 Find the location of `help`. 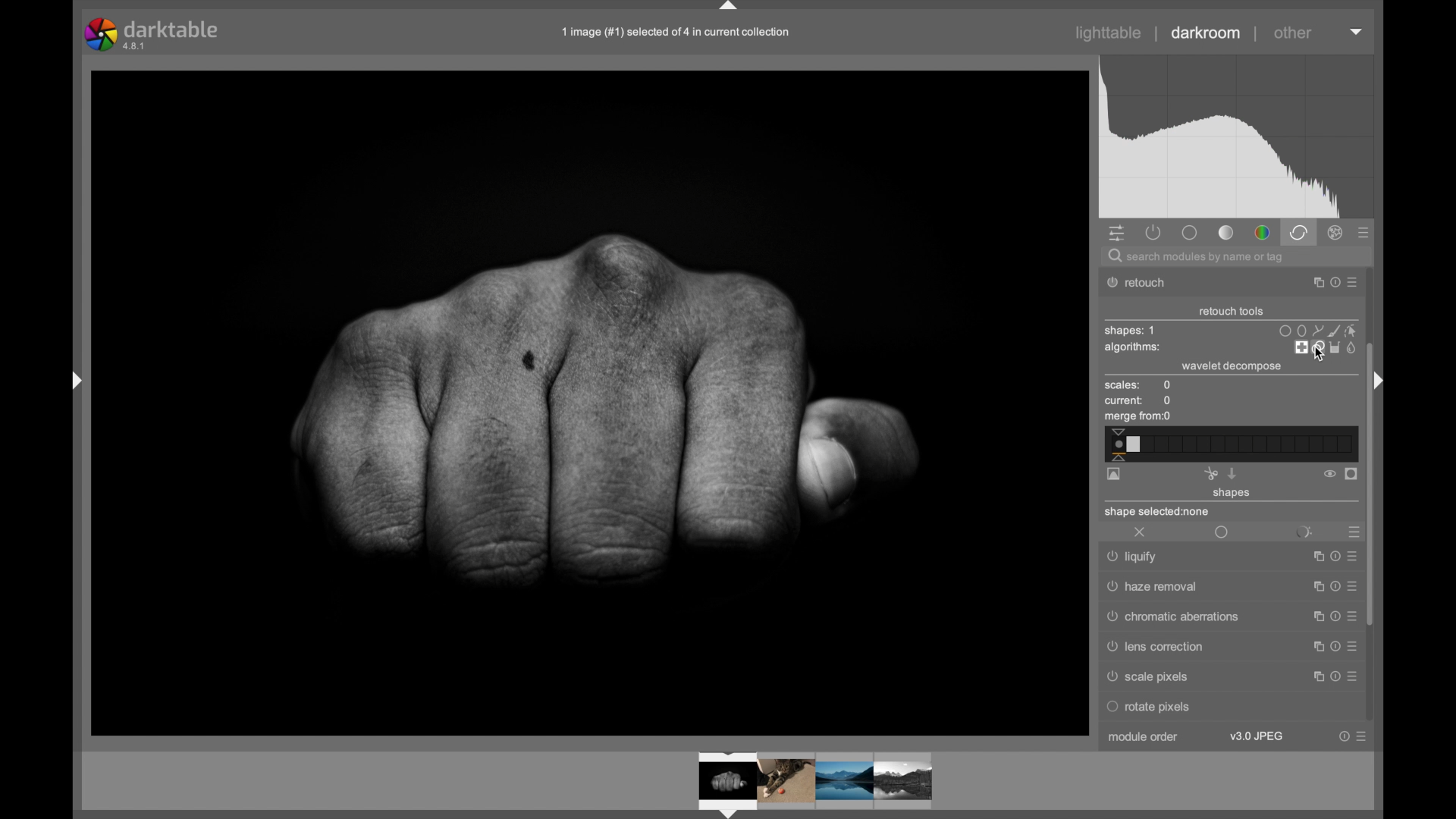

help is located at coordinates (1332, 617).